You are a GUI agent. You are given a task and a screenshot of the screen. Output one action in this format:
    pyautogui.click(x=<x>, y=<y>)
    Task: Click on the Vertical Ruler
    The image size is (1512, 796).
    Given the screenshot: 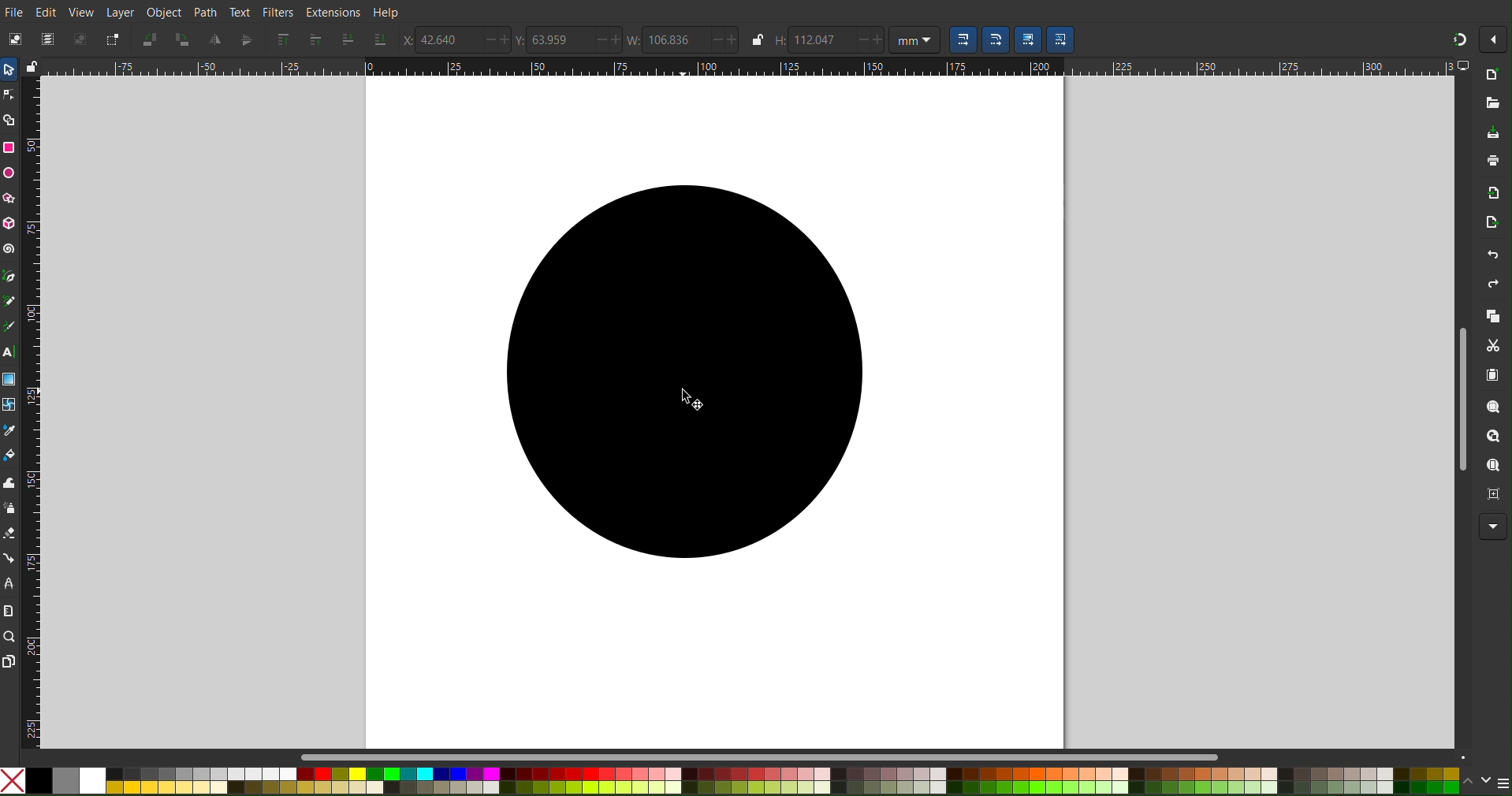 What is the action you would take?
    pyautogui.click(x=32, y=412)
    